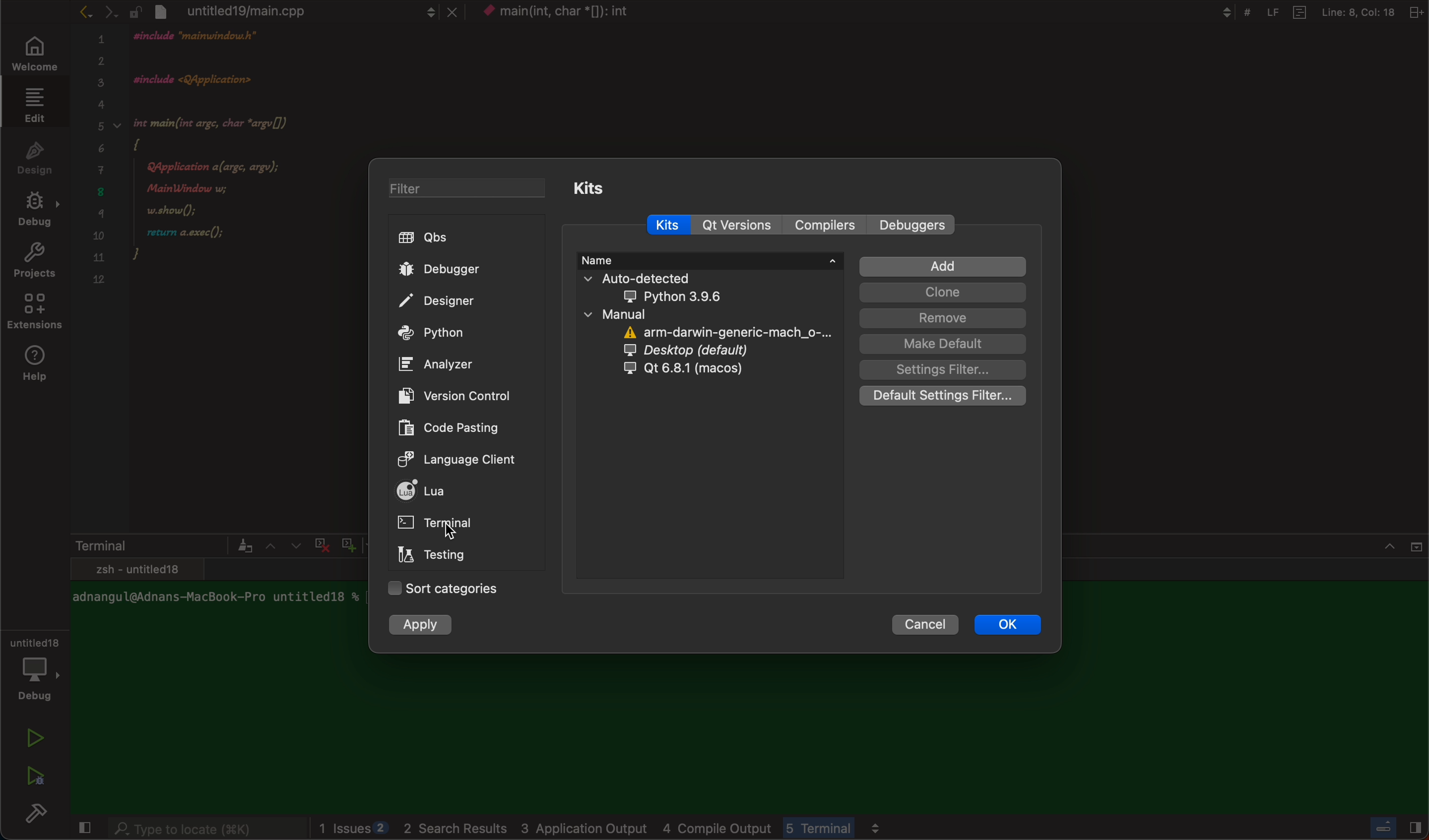 This screenshot has height=840, width=1429. Describe the element at coordinates (34, 667) in the screenshot. I see `debugger` at that location.